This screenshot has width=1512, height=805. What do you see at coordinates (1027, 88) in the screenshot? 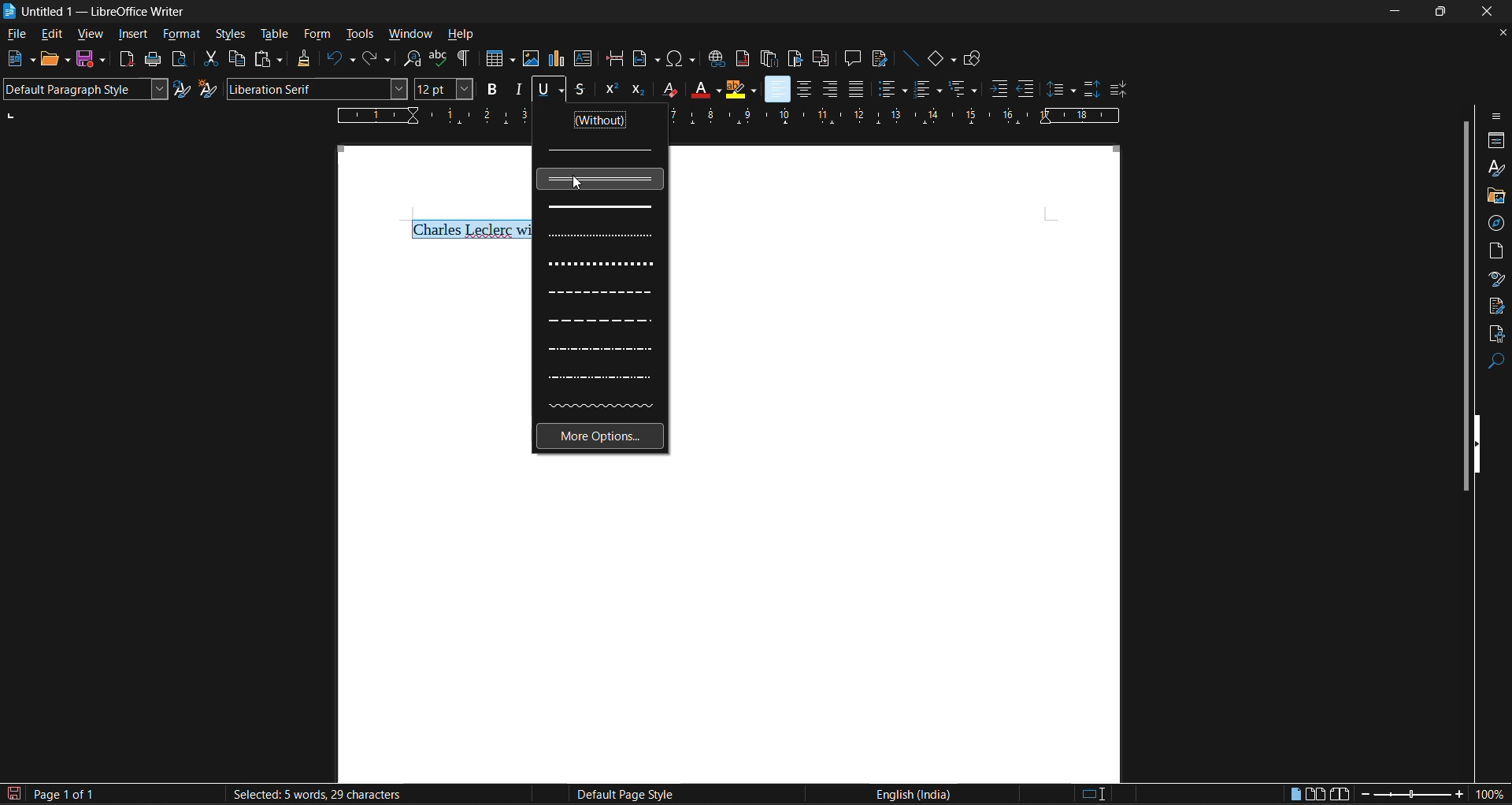
I see `decrease indent` at bounding box center [1027, 88].